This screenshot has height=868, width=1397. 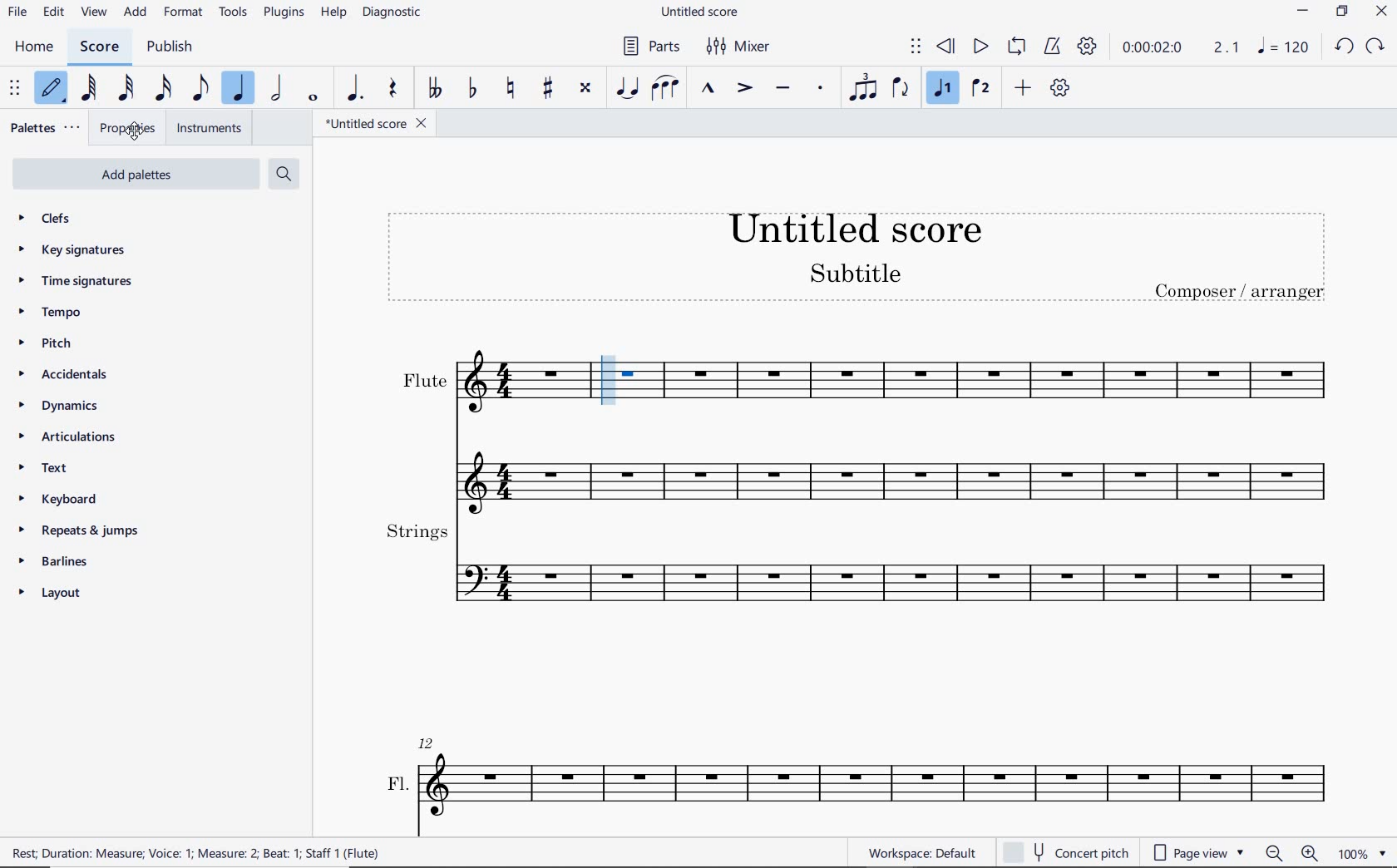 I want to click on close, so click(x=1381, y=12).